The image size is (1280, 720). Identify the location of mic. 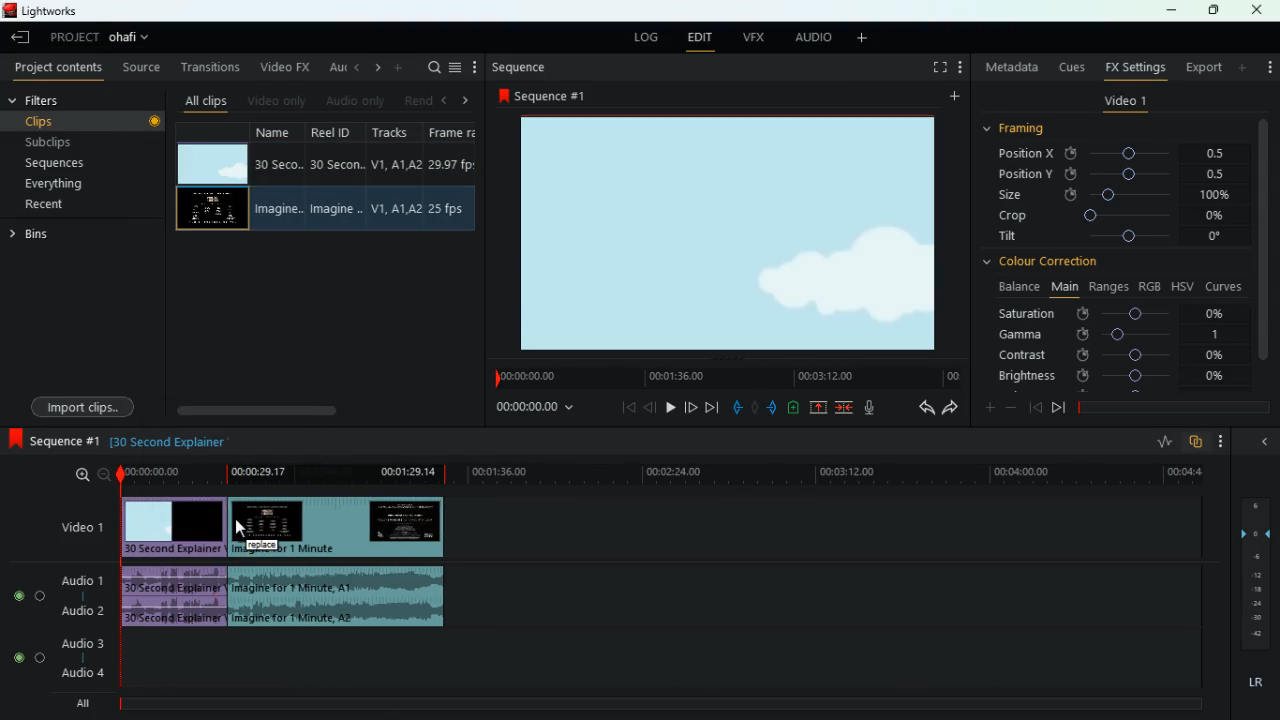
(878, 409).